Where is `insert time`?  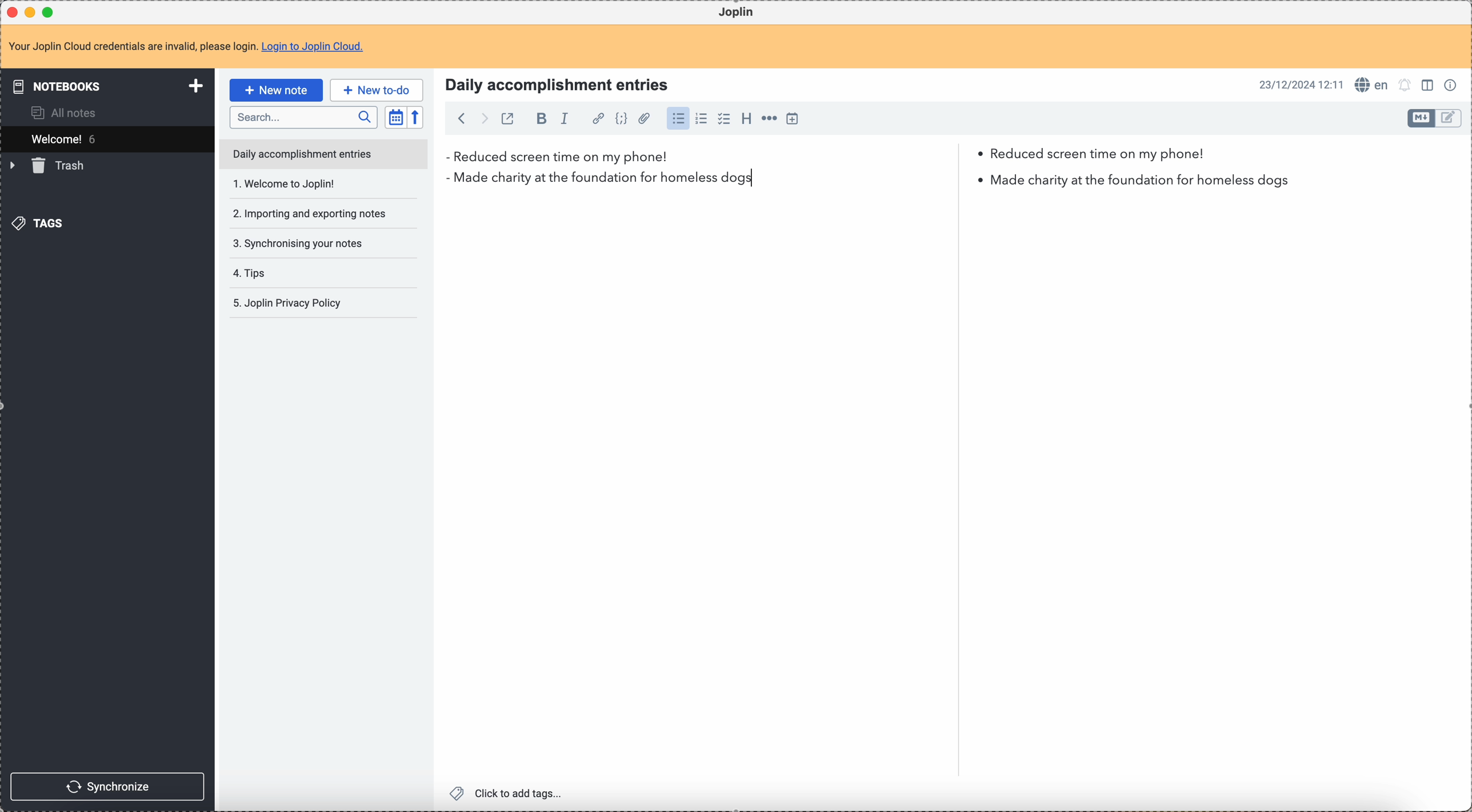 insert time is located at coordinates (792, 119).